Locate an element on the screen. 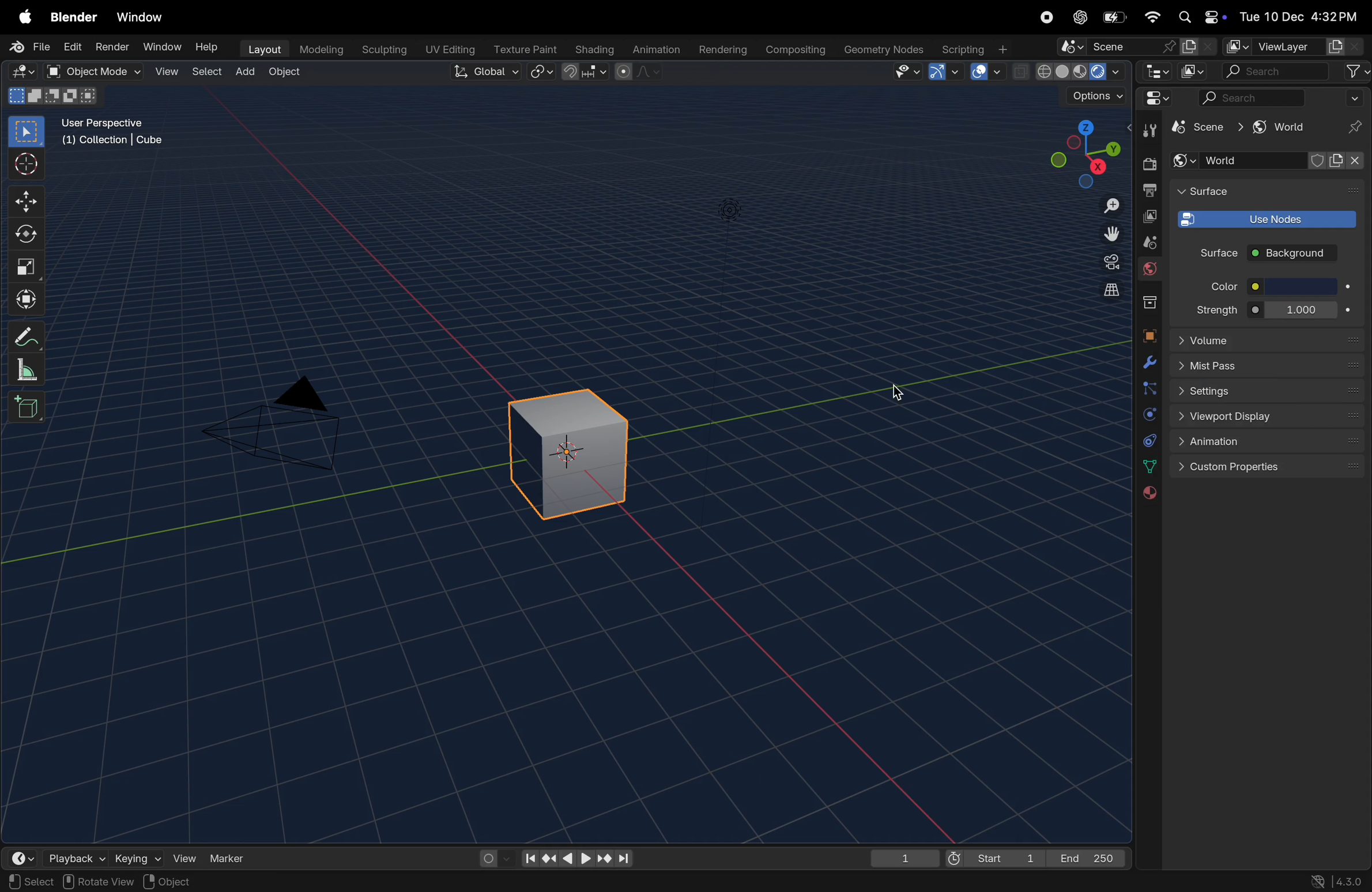 This screenshot has width=1372, height=892. Layout is located at coordinates (262, 49).